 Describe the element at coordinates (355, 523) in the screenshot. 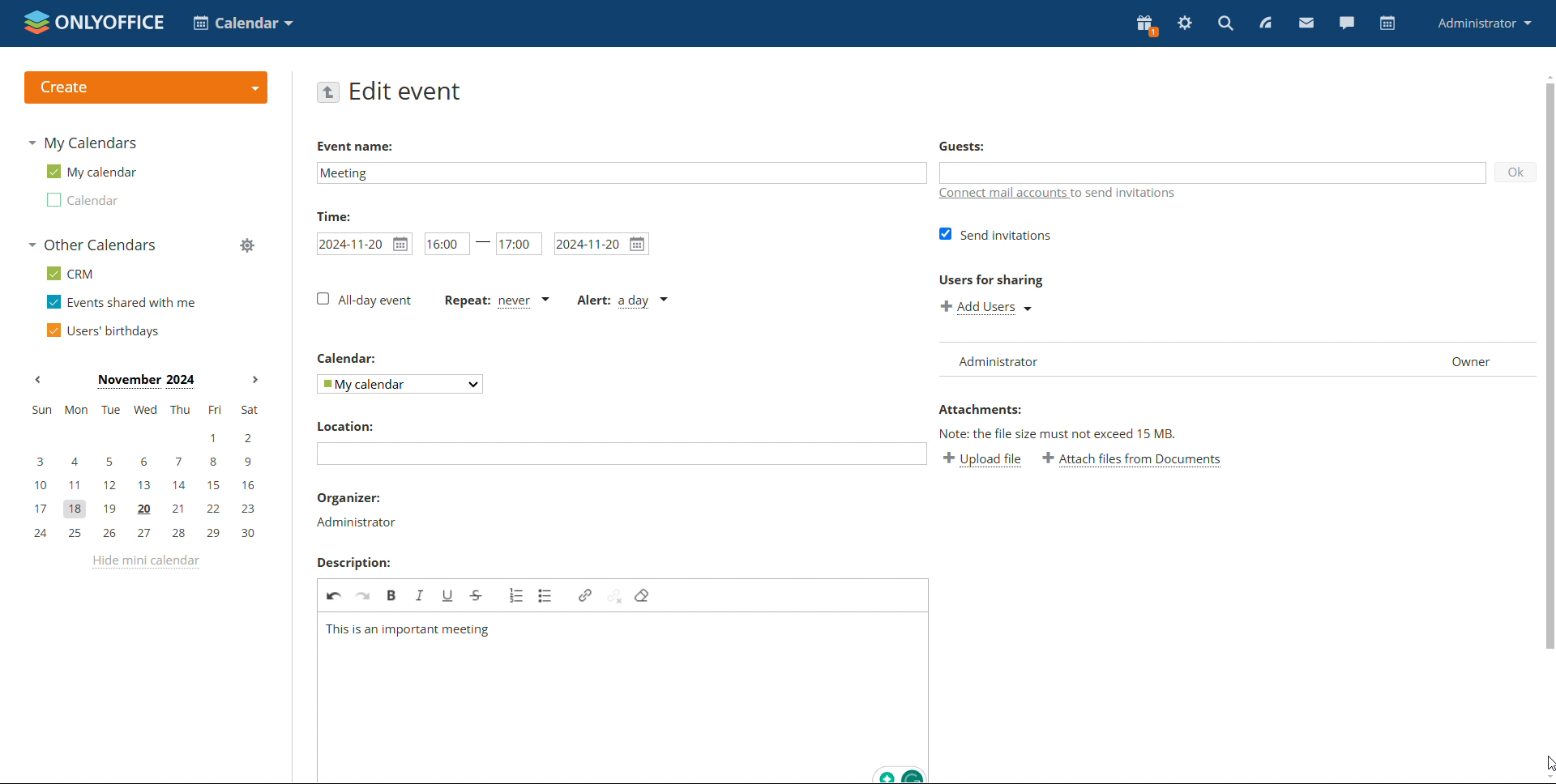

I see `organiser` at that location.